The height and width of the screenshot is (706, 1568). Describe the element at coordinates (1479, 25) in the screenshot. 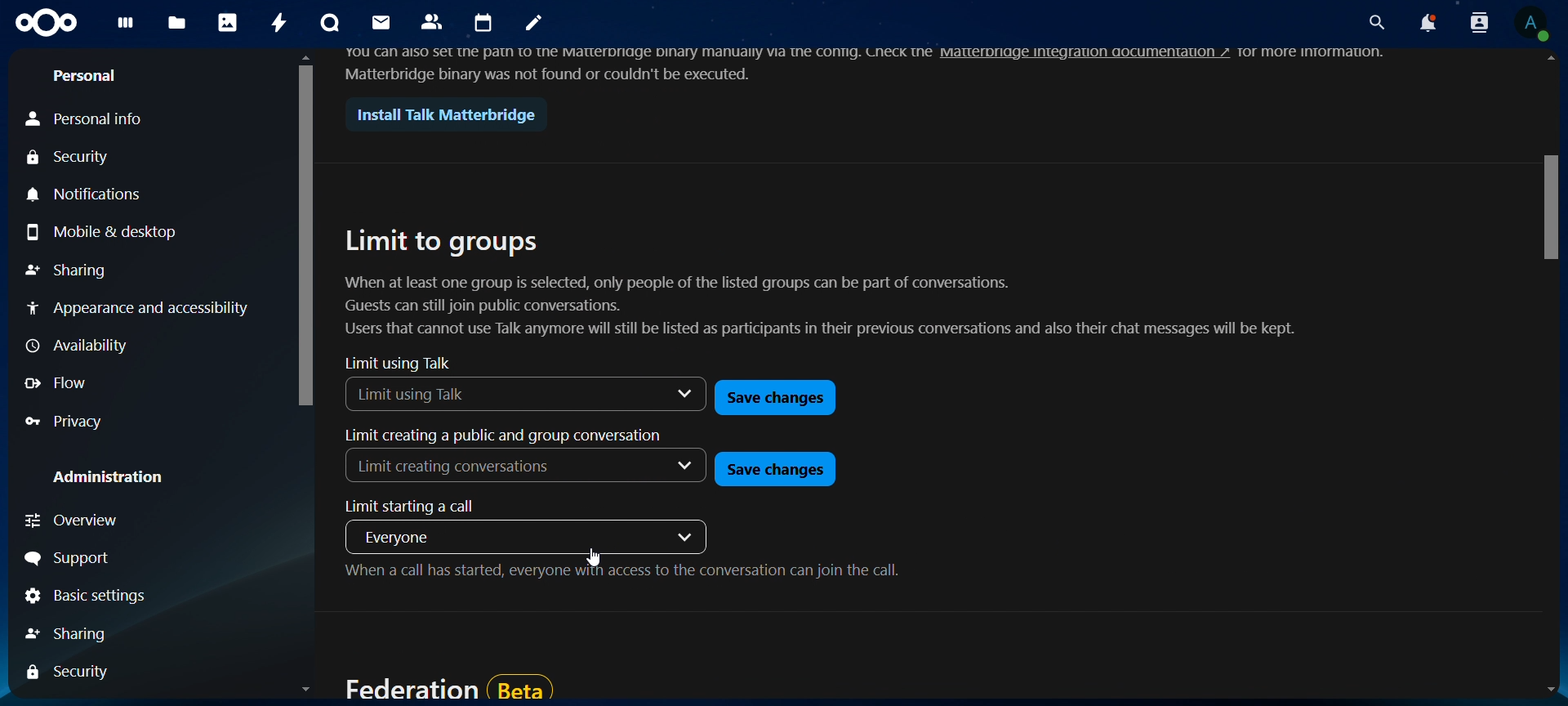

I see `search contacts` at that location.